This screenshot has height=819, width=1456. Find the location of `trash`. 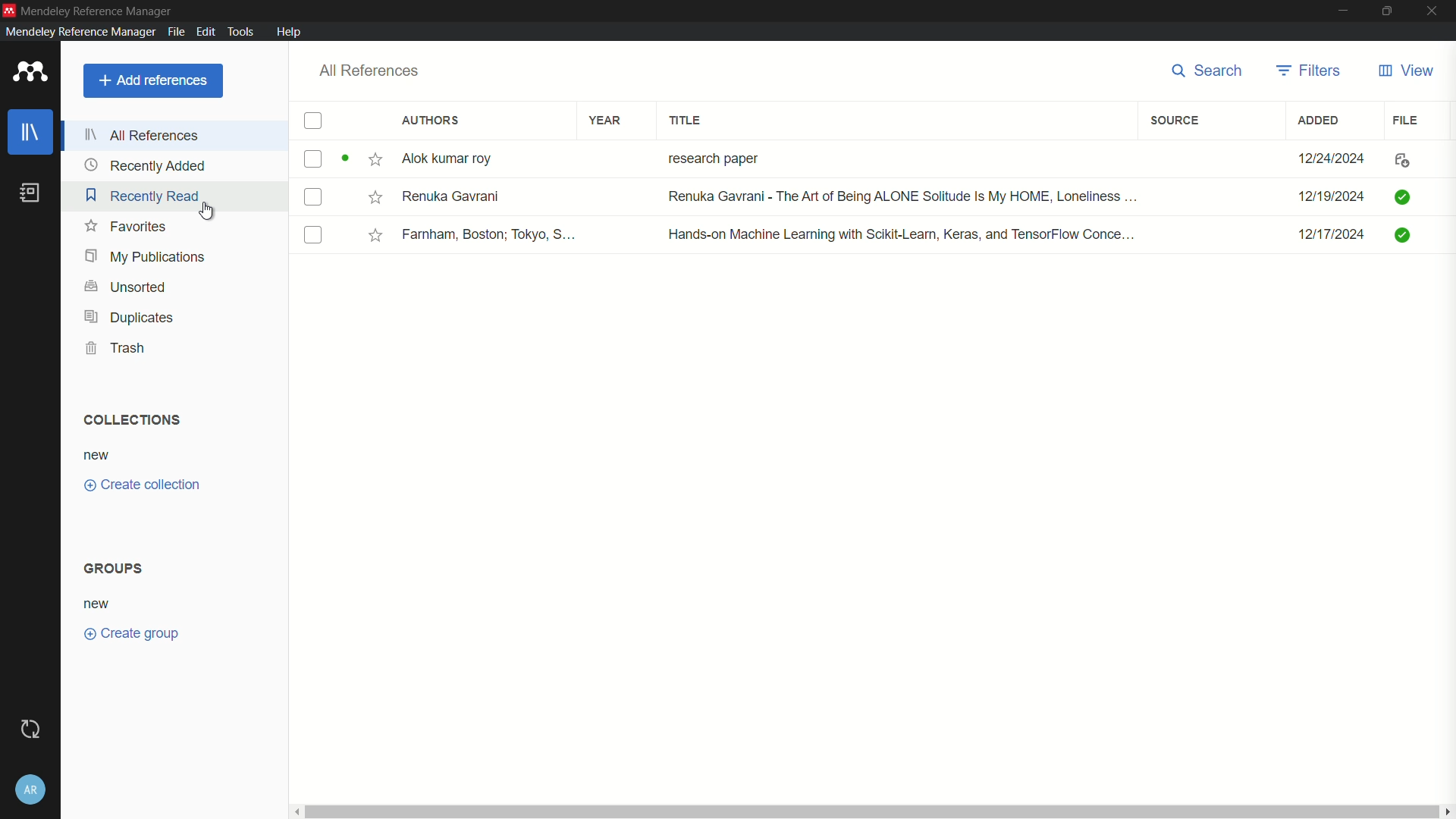

trash is located at coordinates (114, 348).